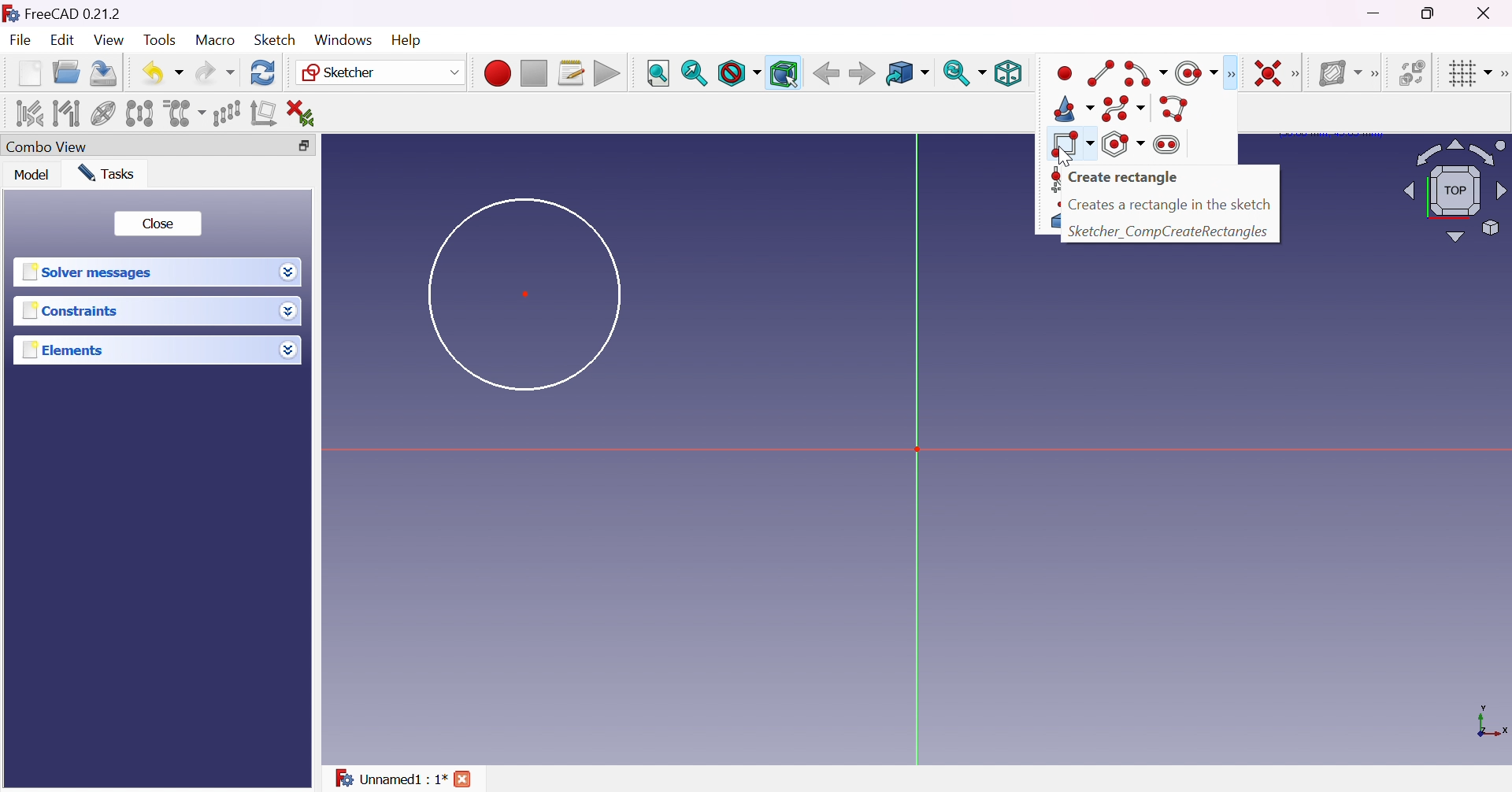 This screenshot has width=1512, height=792. What do you see at coordinates (101, 72) in the screenshot?
I see `Save` at bounding box center [101, 72].